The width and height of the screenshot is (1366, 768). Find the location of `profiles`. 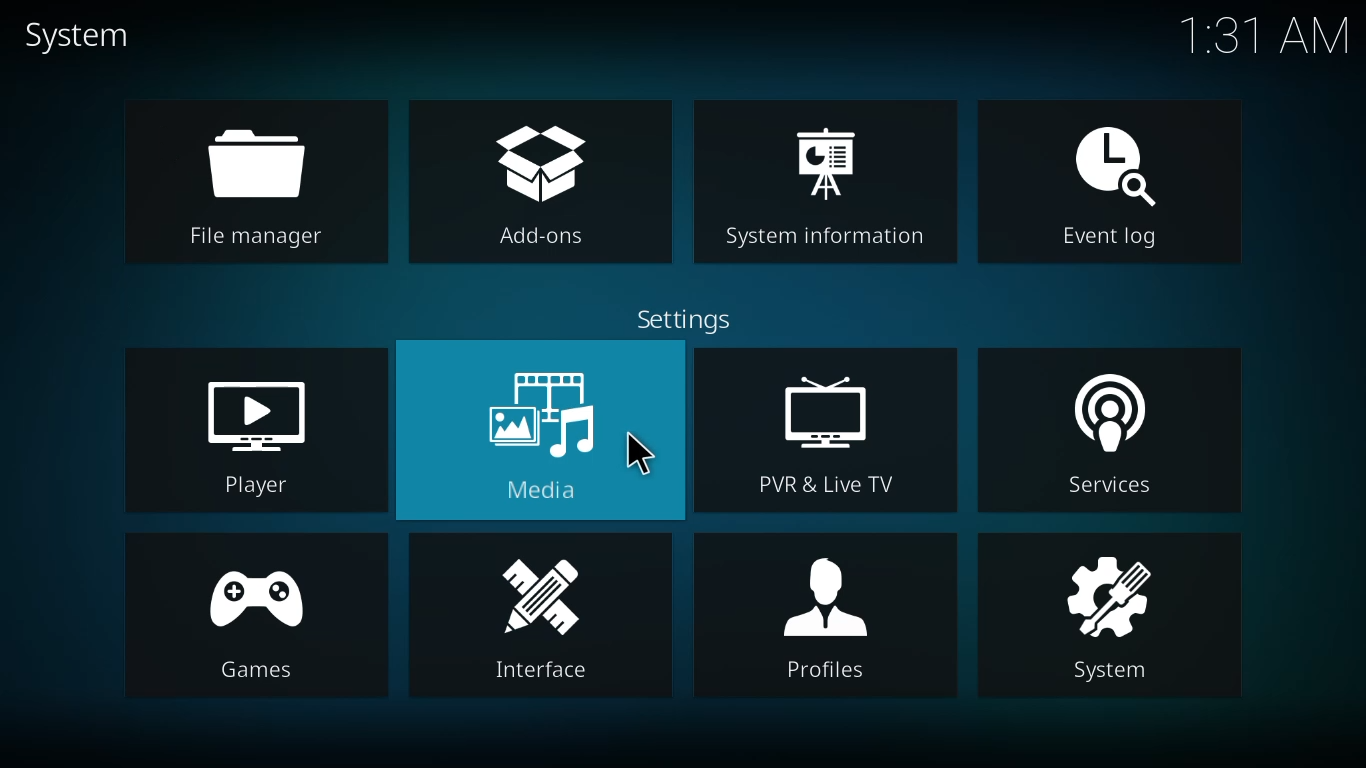

profiles is located at coordinates (822, 612).